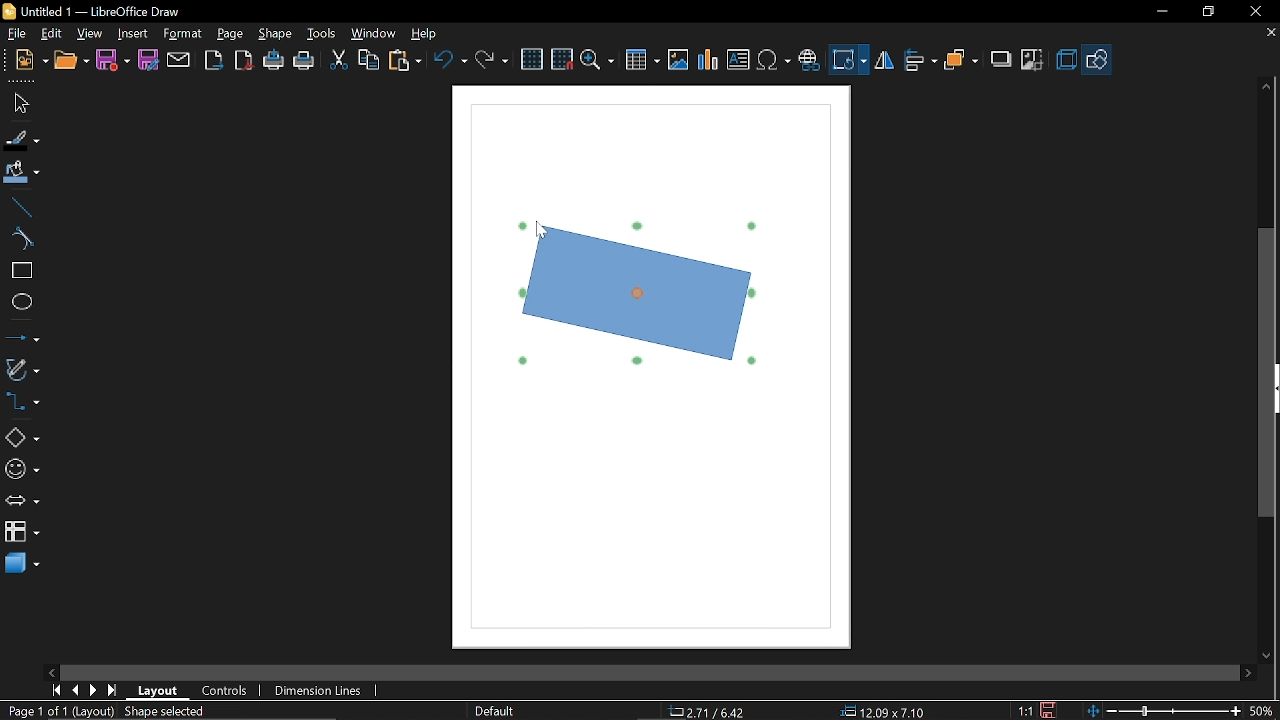 The height and width of the screenshot is (720, 1280). Describe the element at coordinates (22, 404) in the screenshot. I see `Connector` at that location.